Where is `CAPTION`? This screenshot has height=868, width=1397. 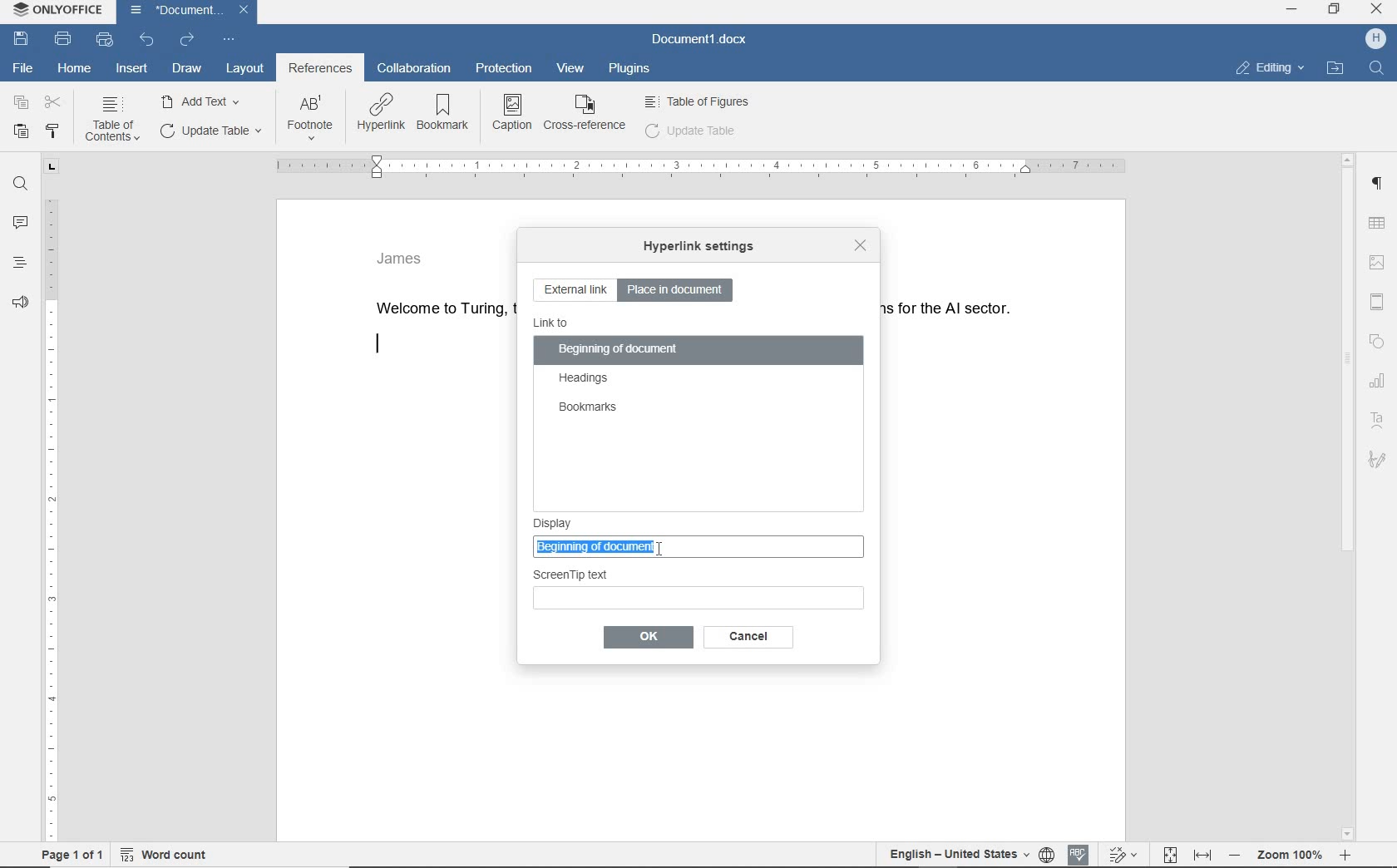 CAPTION is located at coordinates (513, 112).